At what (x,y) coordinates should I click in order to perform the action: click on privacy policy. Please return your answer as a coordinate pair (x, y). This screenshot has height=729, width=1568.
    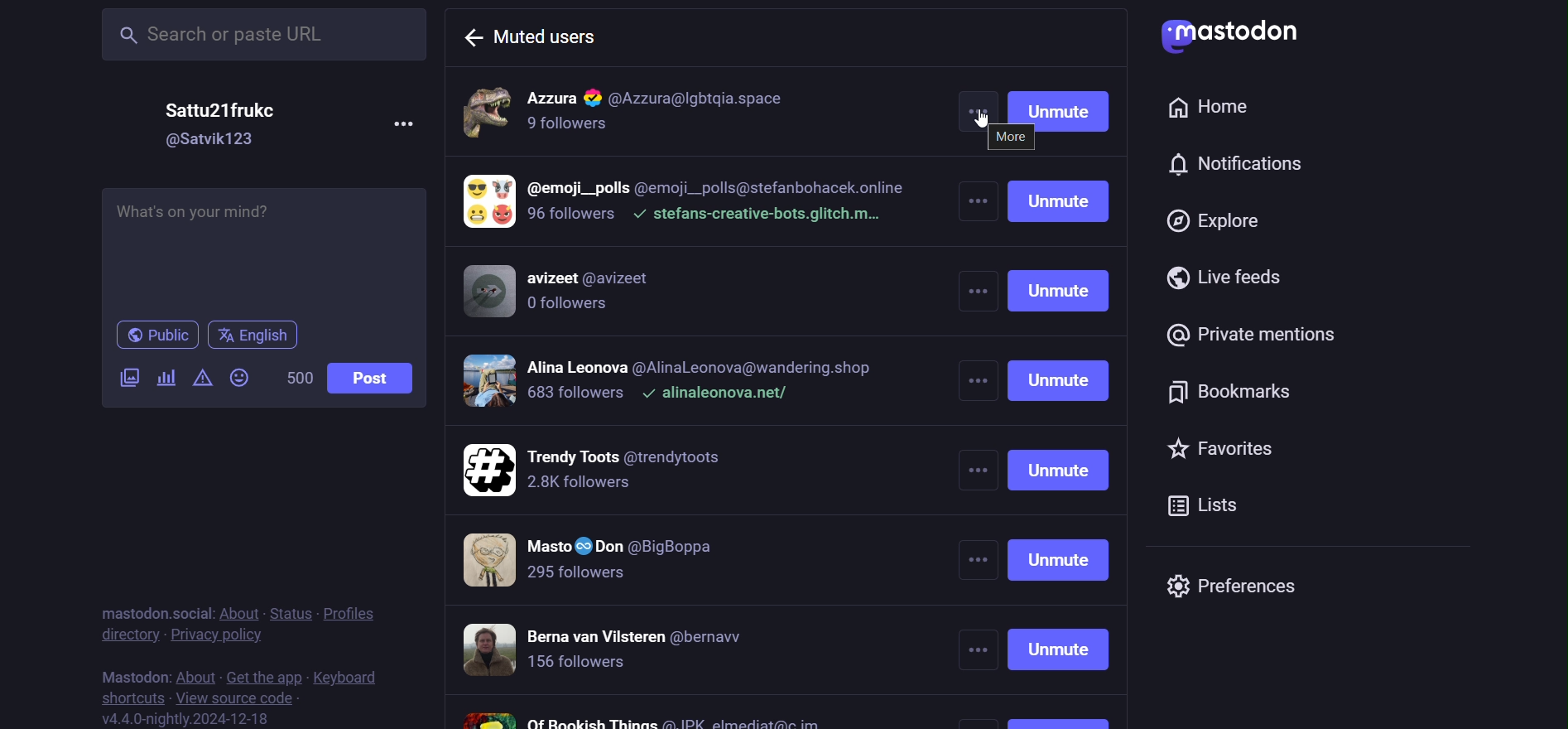
    Looking at the image, I should click on (214, 634).